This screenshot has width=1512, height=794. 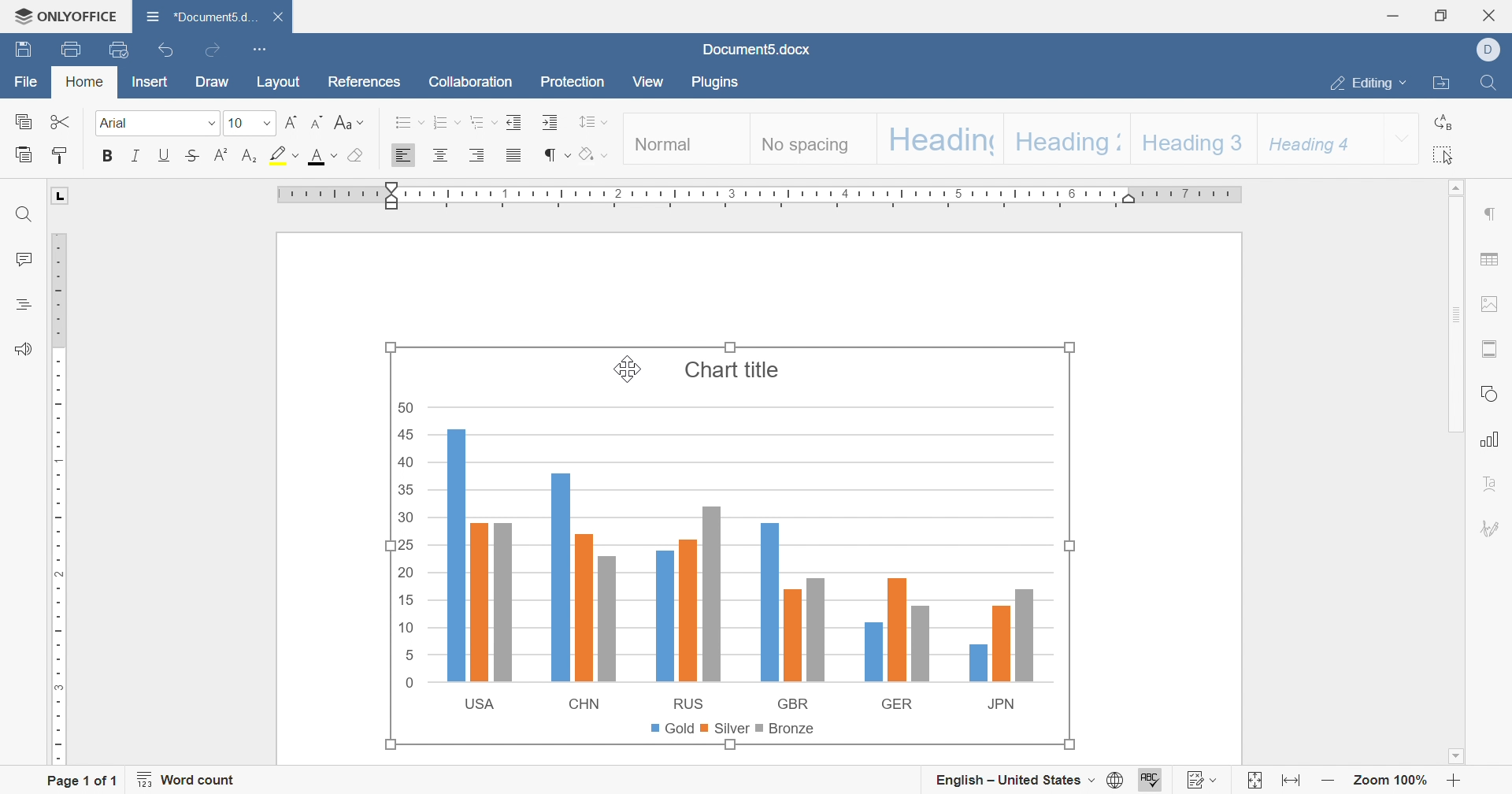 What do you see at coordinates (410, 123) in the screenshot?
I see `bullets` at bounding box center [410, 123].